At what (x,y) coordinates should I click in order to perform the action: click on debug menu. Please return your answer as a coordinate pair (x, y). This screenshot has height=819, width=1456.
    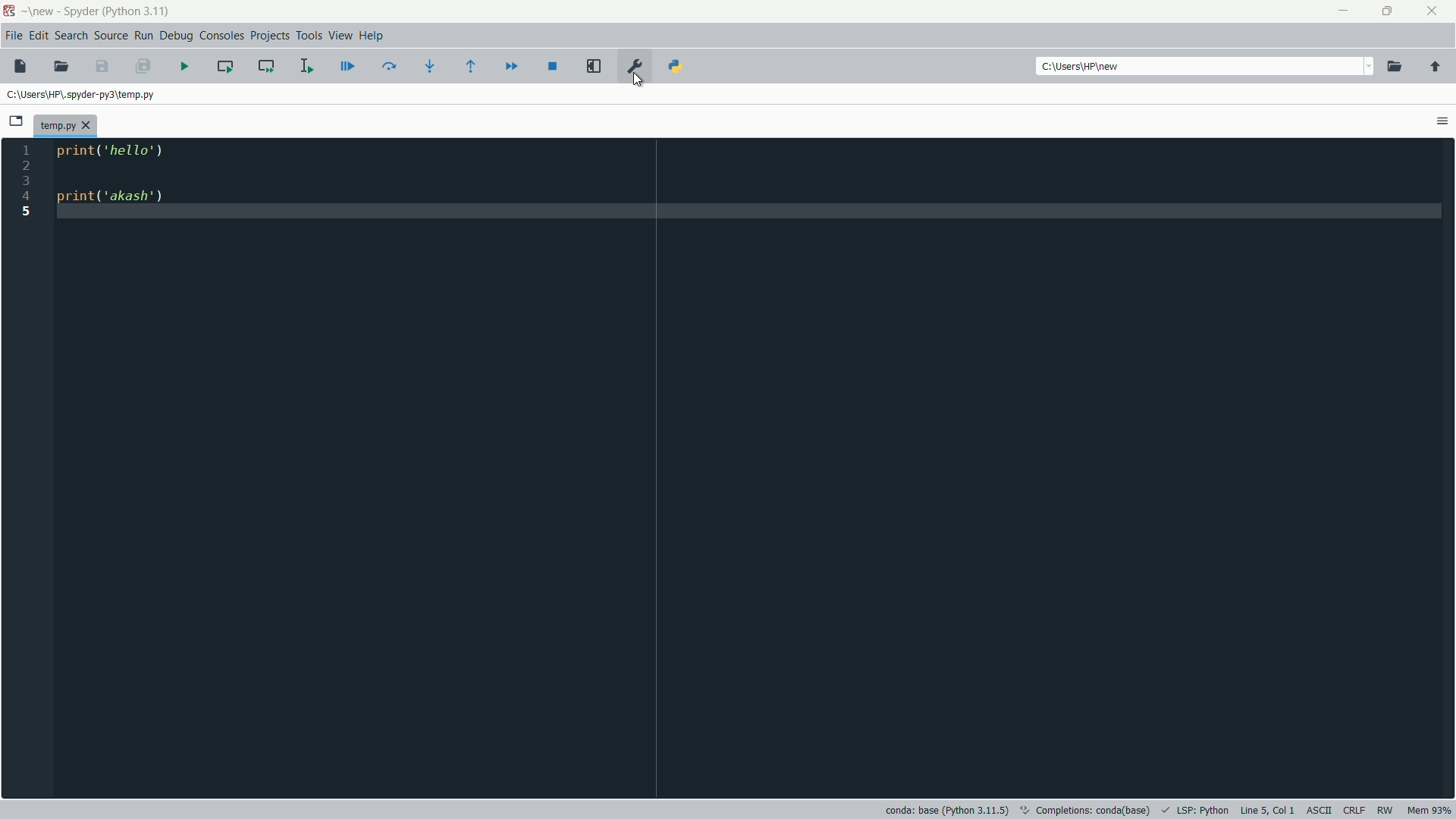
    Looking at the image, I should click on (176, 35).